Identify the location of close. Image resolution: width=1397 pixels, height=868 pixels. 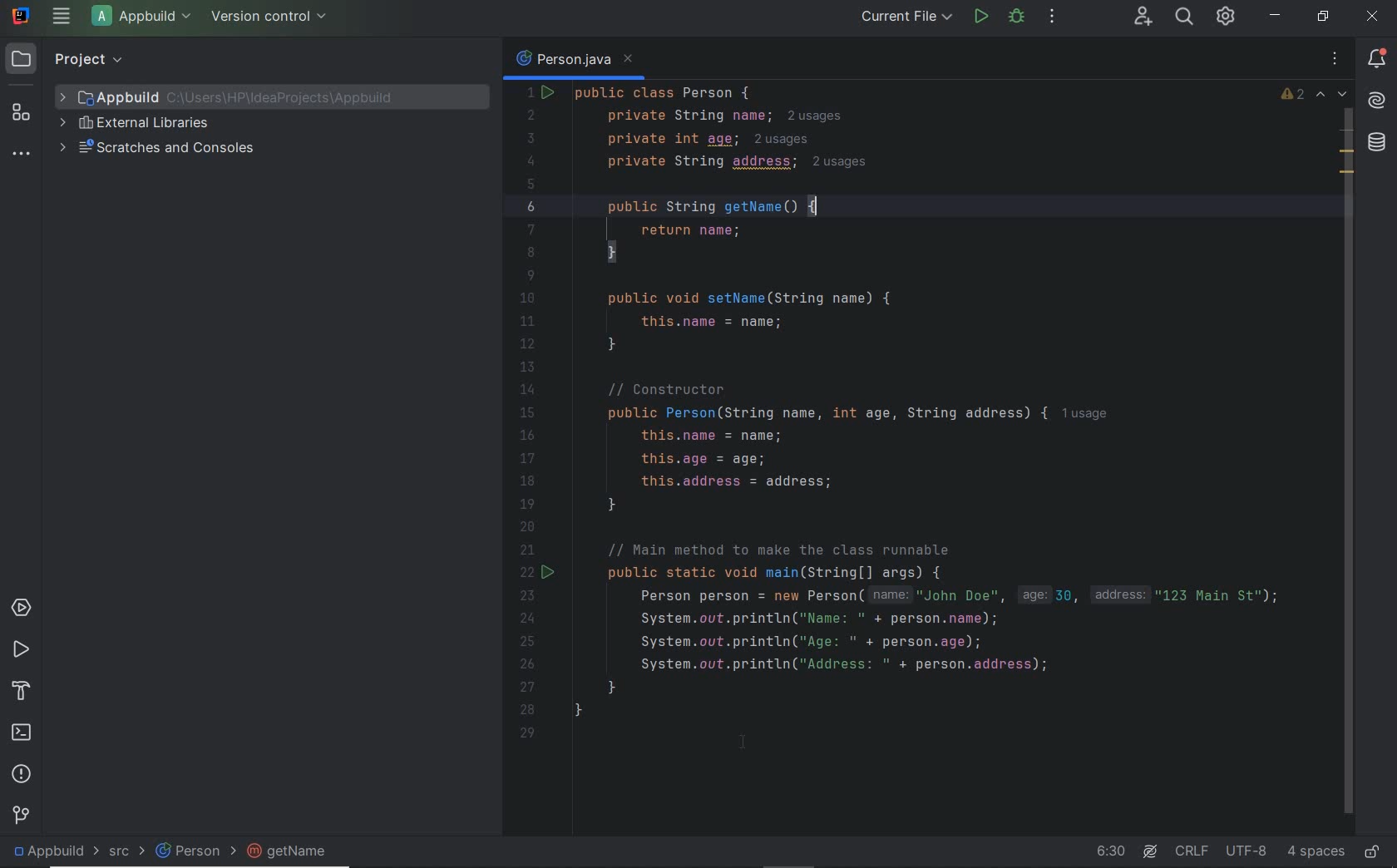
(1373, 17).